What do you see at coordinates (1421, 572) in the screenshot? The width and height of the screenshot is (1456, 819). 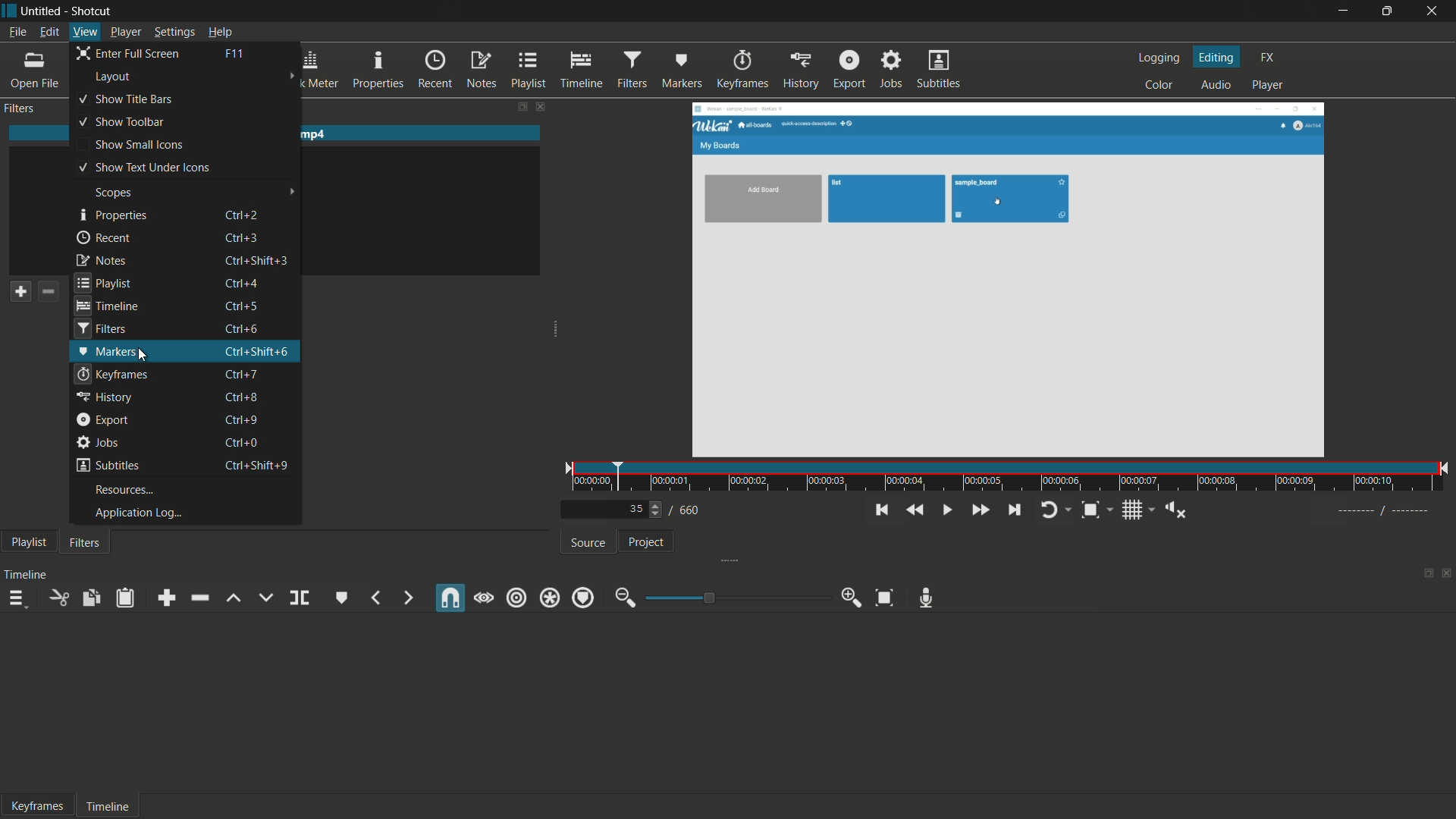 I see `change layout` at bounding box center [1421, 572].